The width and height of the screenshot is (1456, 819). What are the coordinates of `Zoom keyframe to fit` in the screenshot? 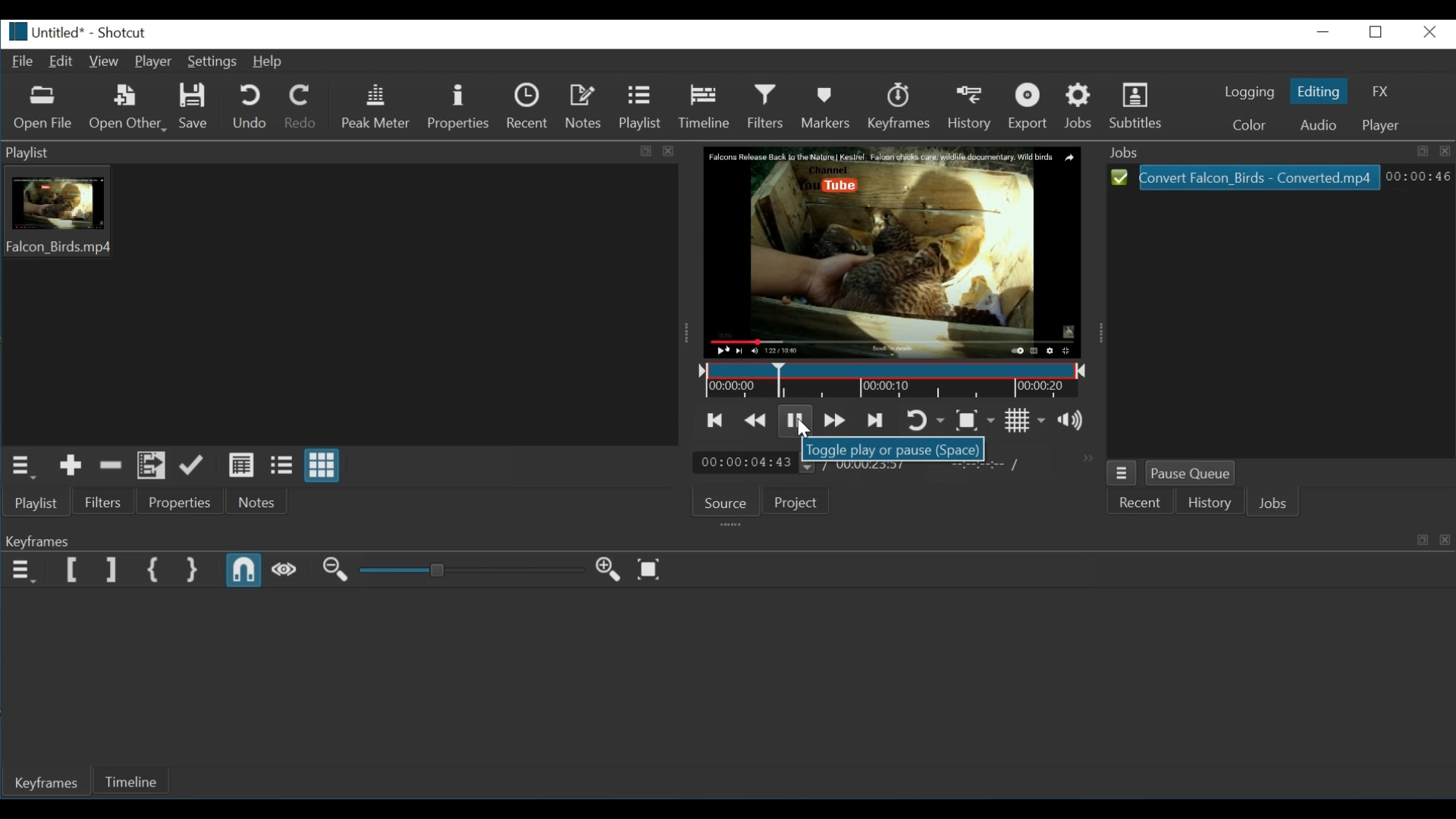 It's located at (648, 569).